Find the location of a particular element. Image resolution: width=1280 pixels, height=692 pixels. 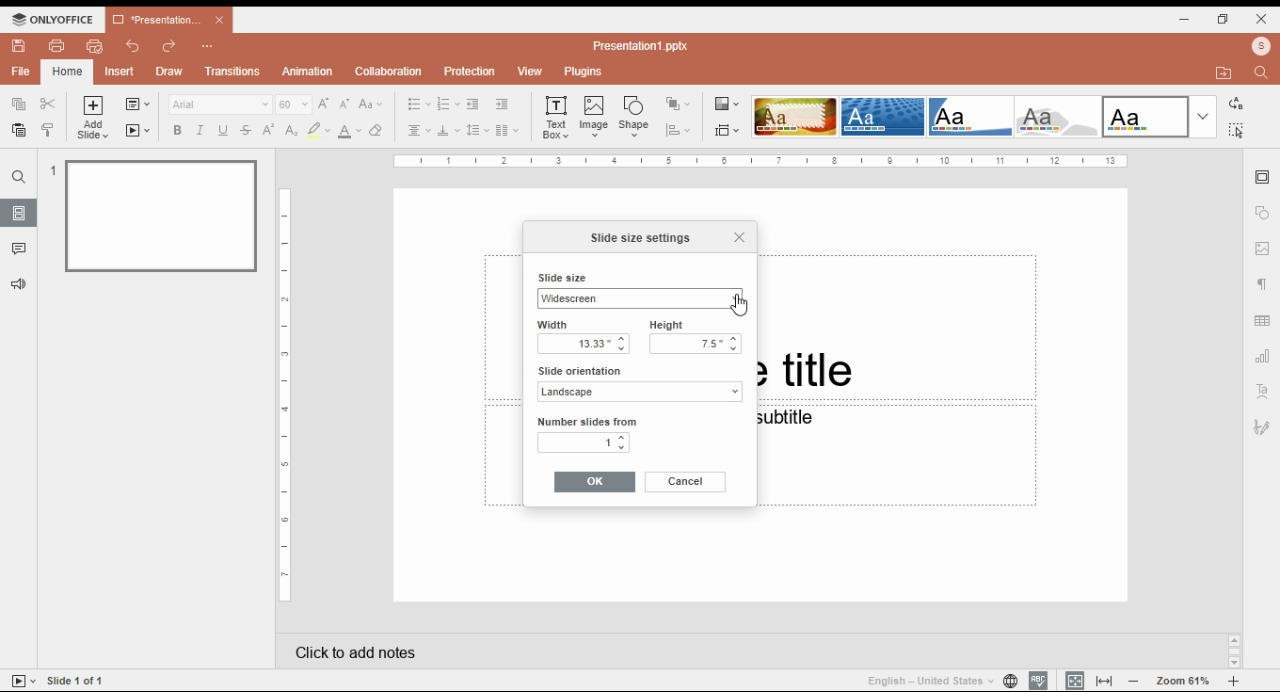

font color is located at coordinates (351, 131).